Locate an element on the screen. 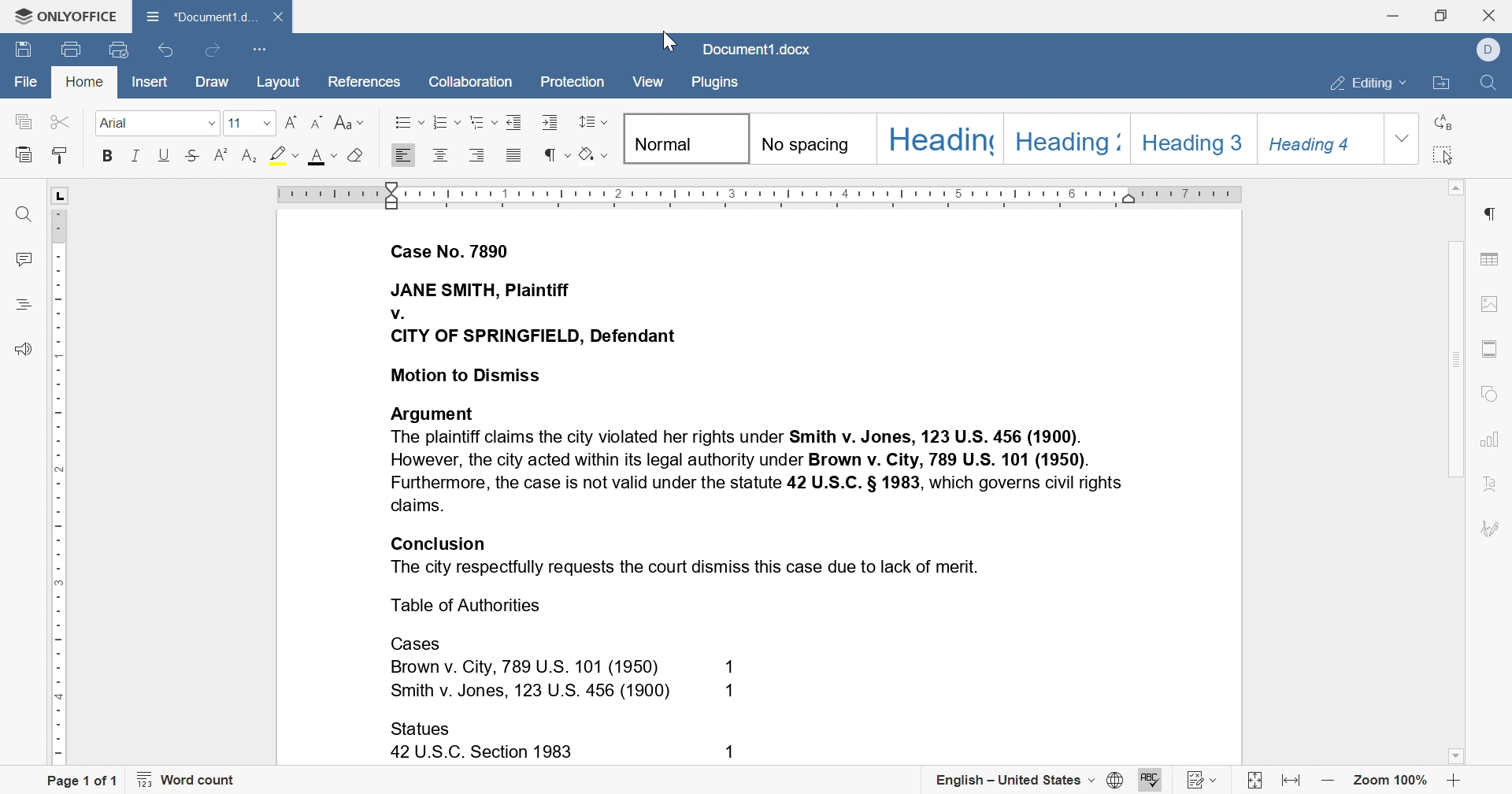 The height and width of the screenshot is (794, 1512). font size is located at coordinates (247, 121).